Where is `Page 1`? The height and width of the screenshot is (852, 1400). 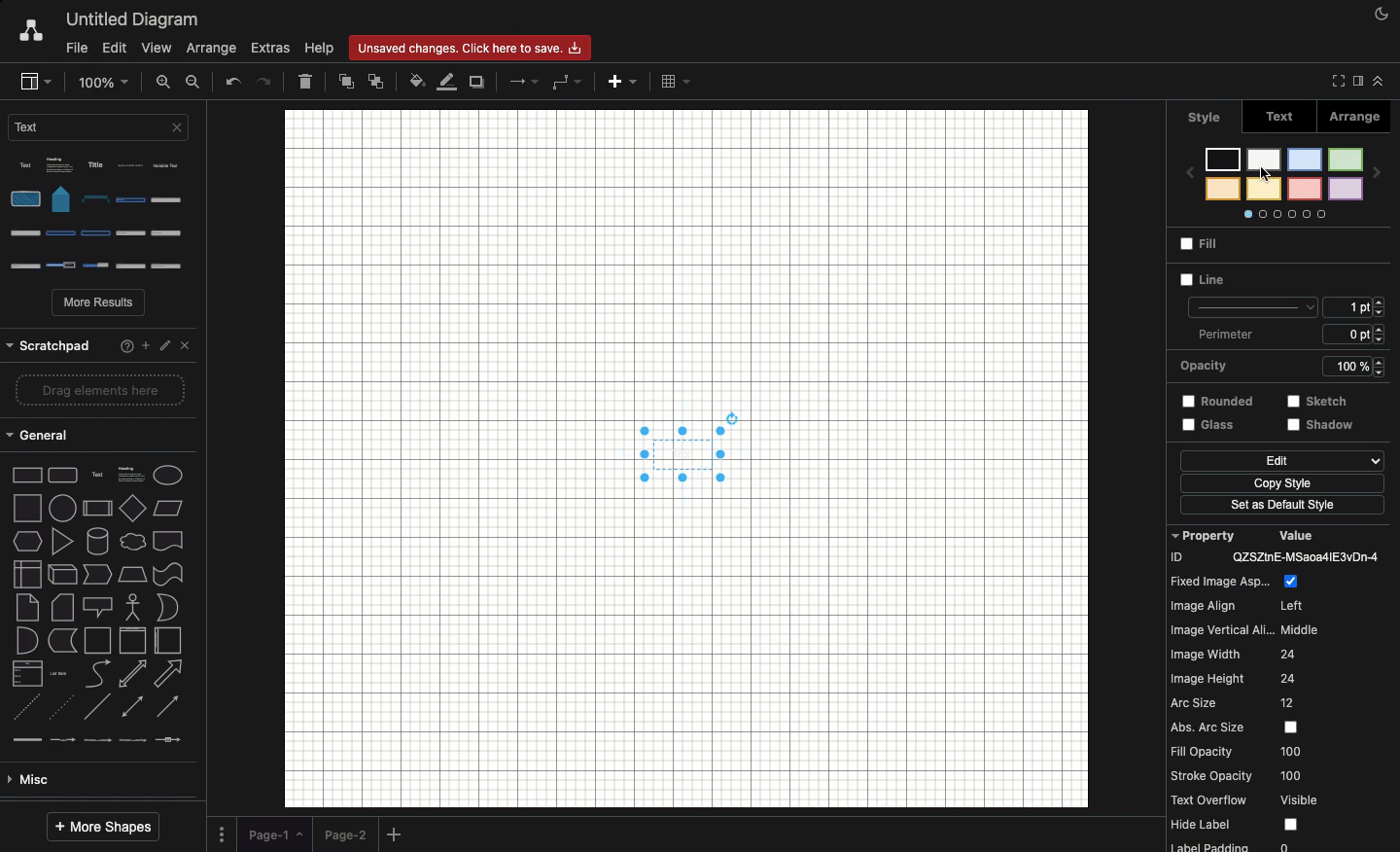 Page 1 is located at coordinates (274, 832).